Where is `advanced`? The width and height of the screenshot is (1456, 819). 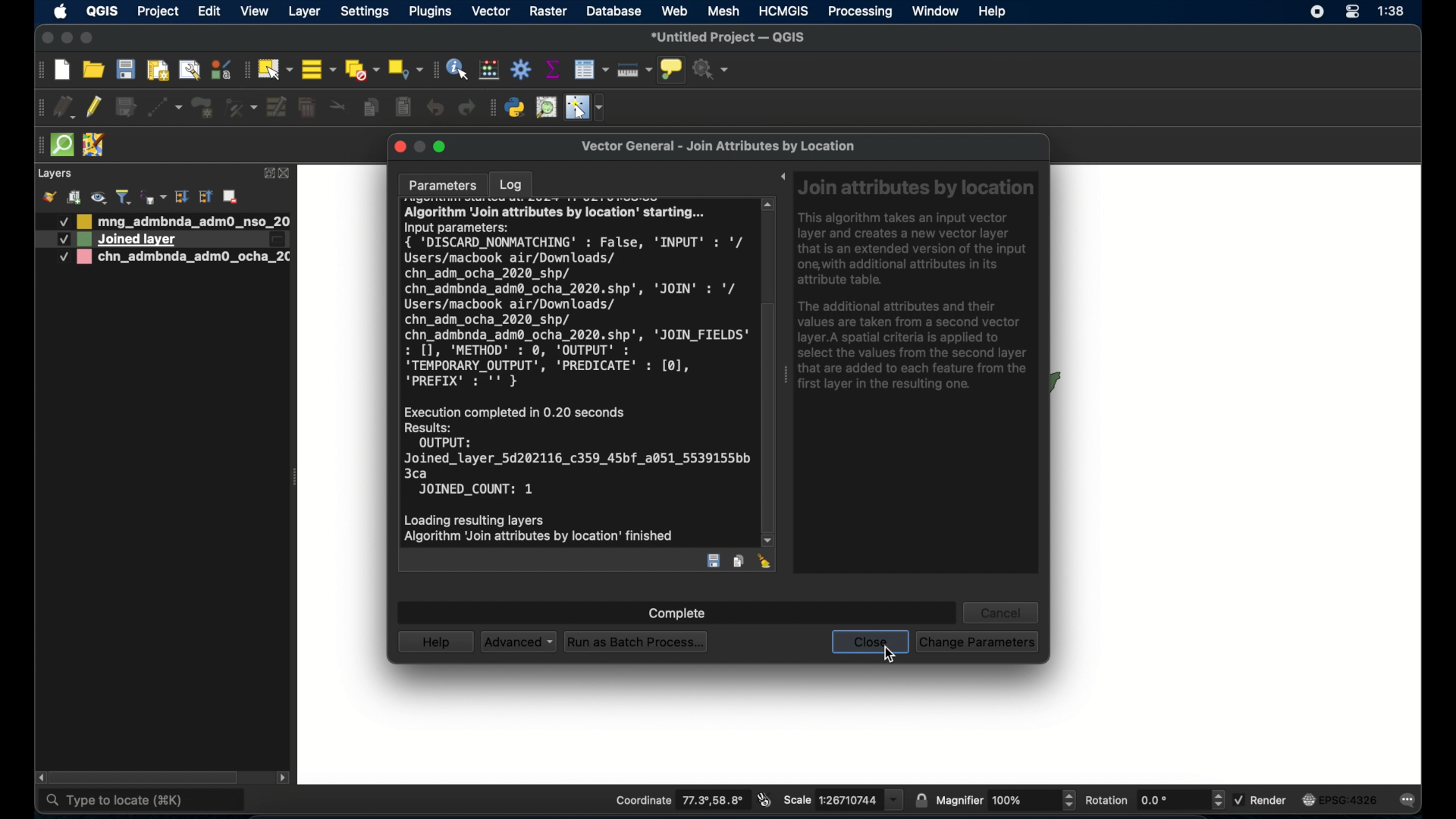
advanced is located at coordinates (519, 642).